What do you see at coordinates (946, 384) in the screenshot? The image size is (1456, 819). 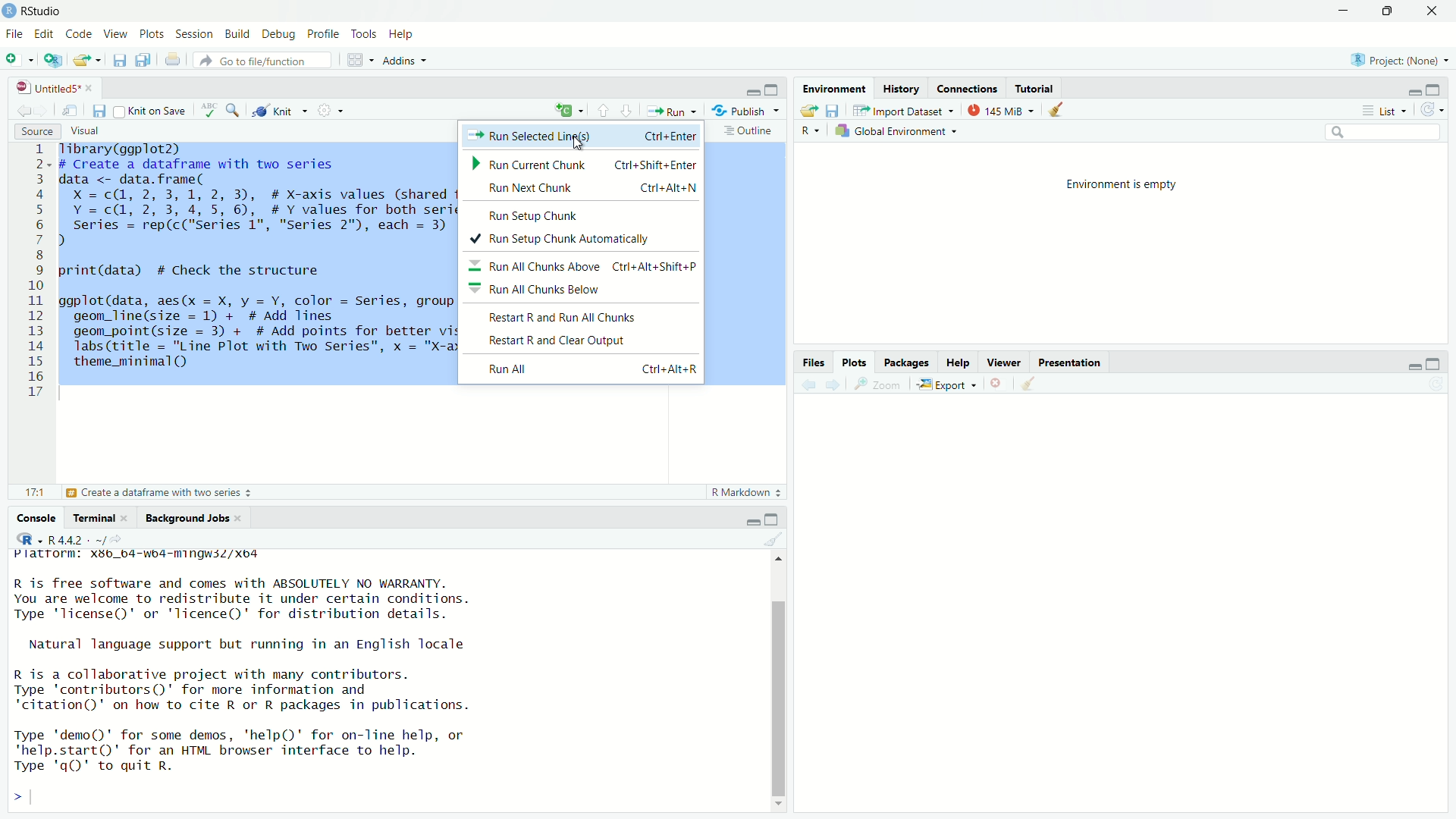 I see `Export` at bounding box center [946, 384].